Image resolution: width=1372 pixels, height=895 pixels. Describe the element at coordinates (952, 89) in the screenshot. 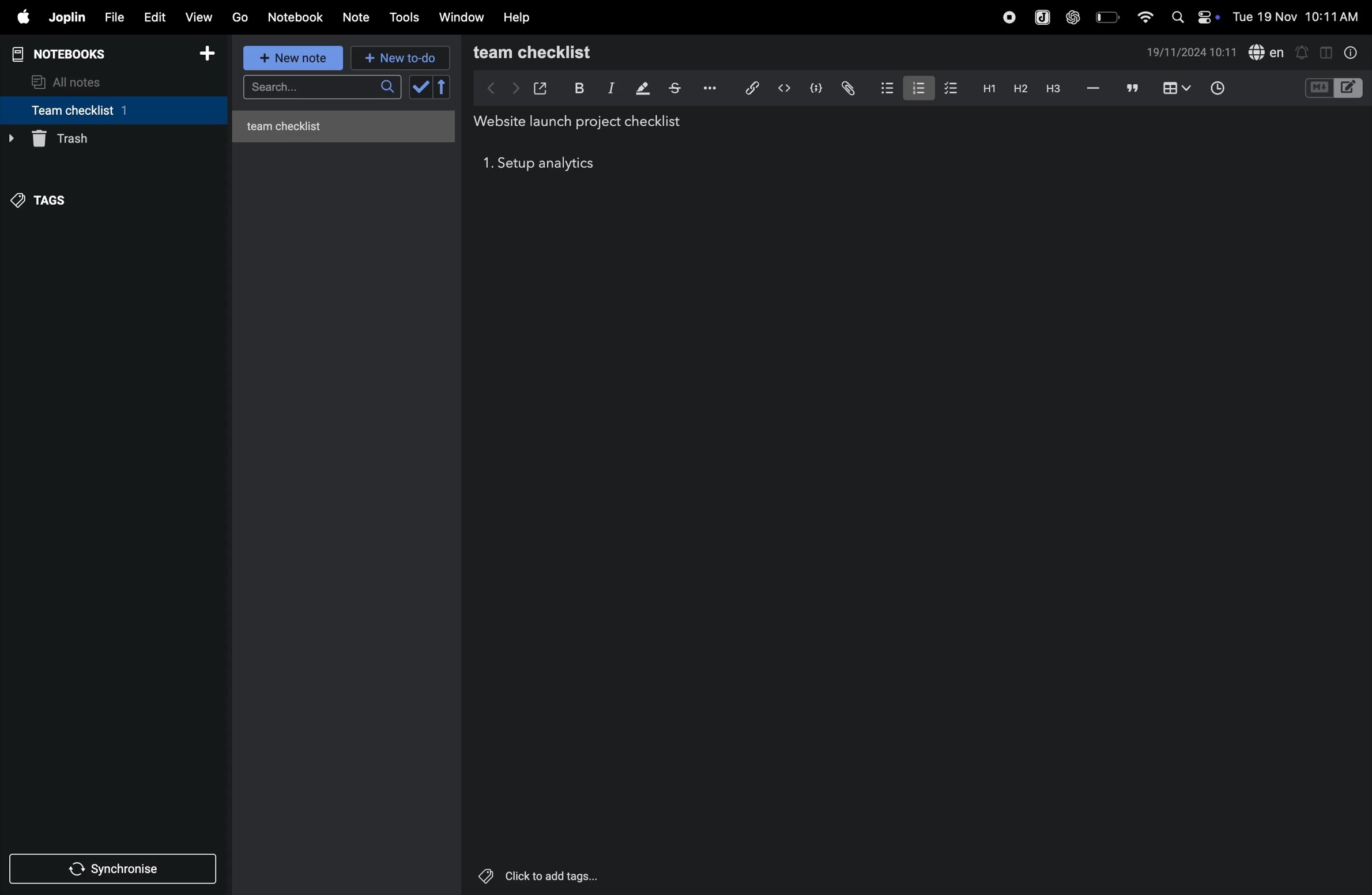

I see `checklist` at that location.